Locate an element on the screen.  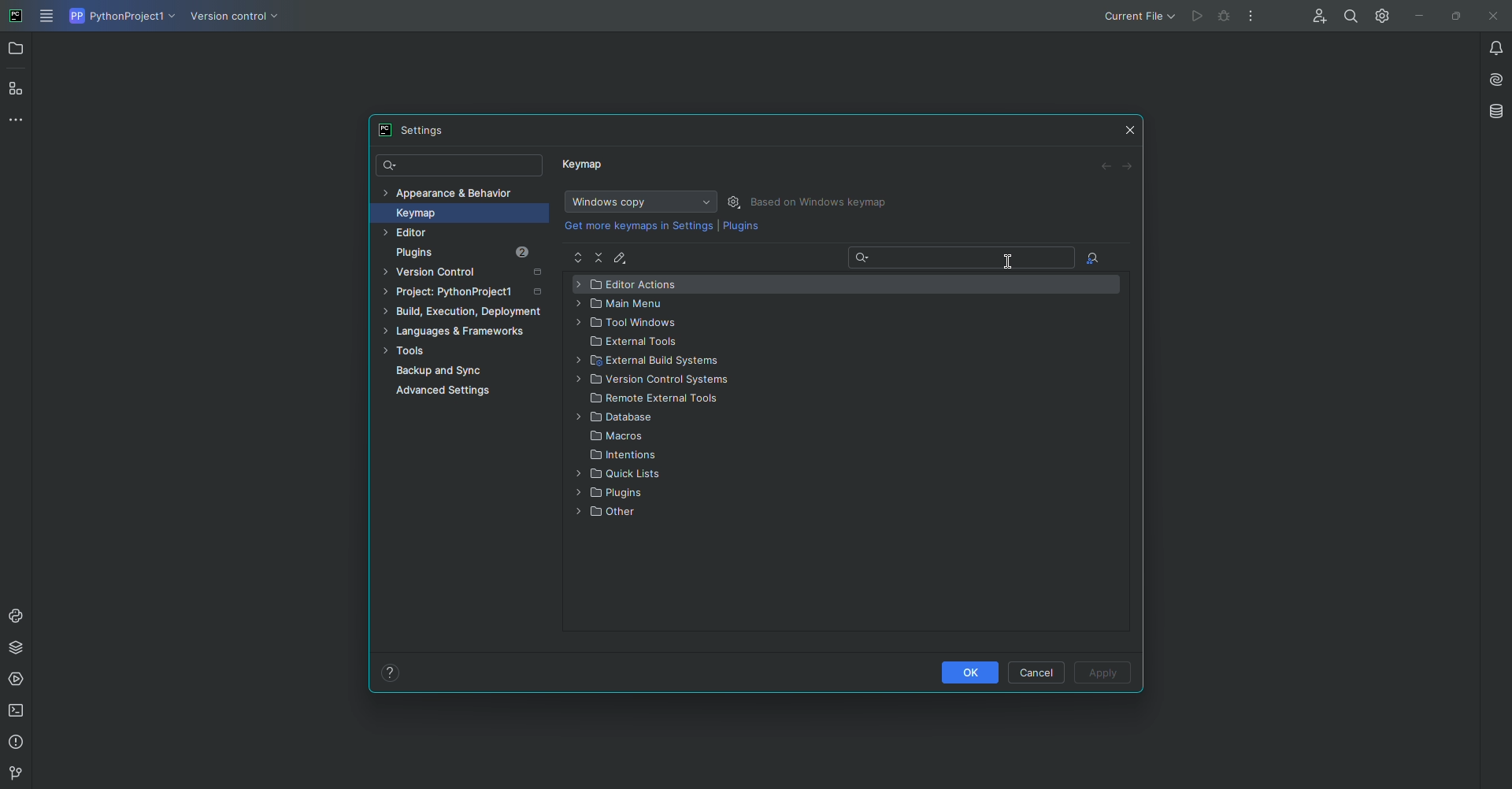
Languages and Framework is located at coordinates (461, 332).